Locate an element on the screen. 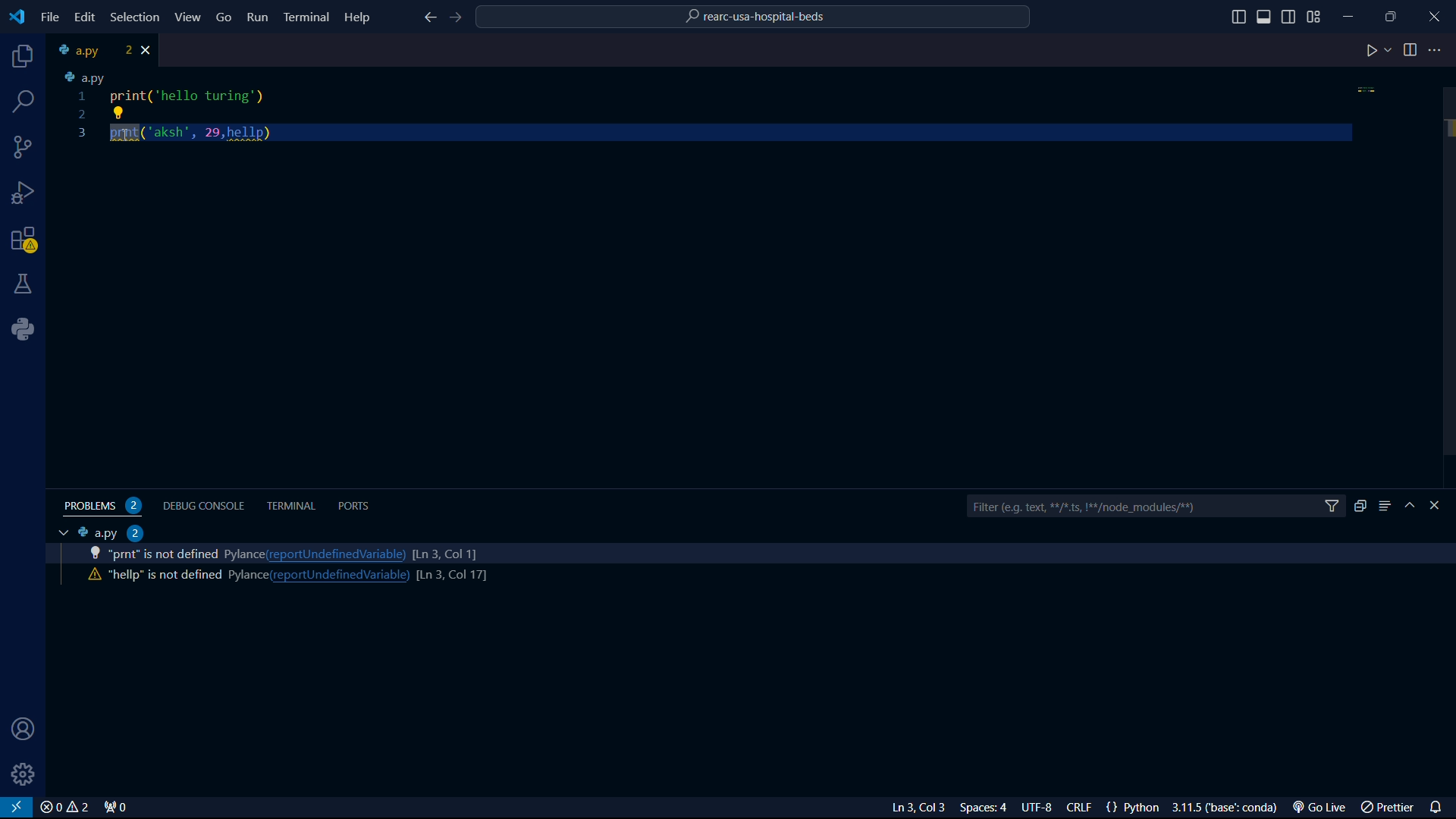 The width and height of the screenshot is (1456, 819). VS is located at coordinates (17, 808).